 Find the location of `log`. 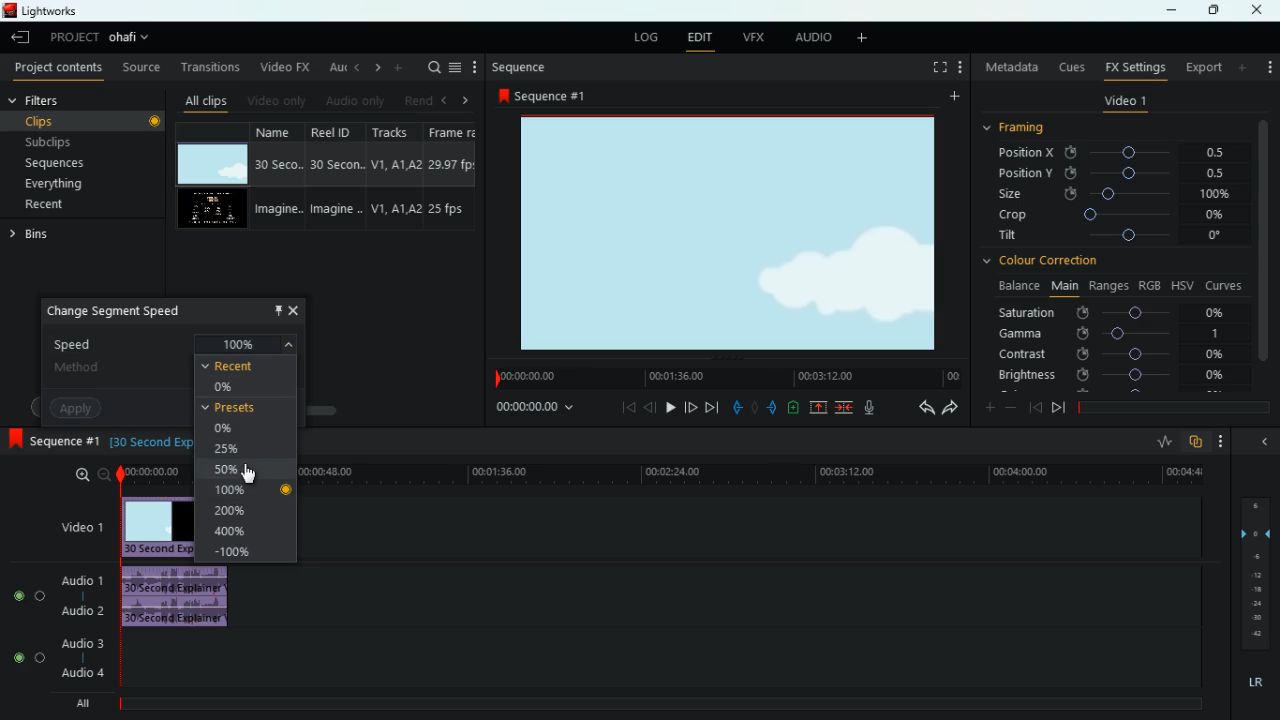

log is located at coordinates (643, 35).